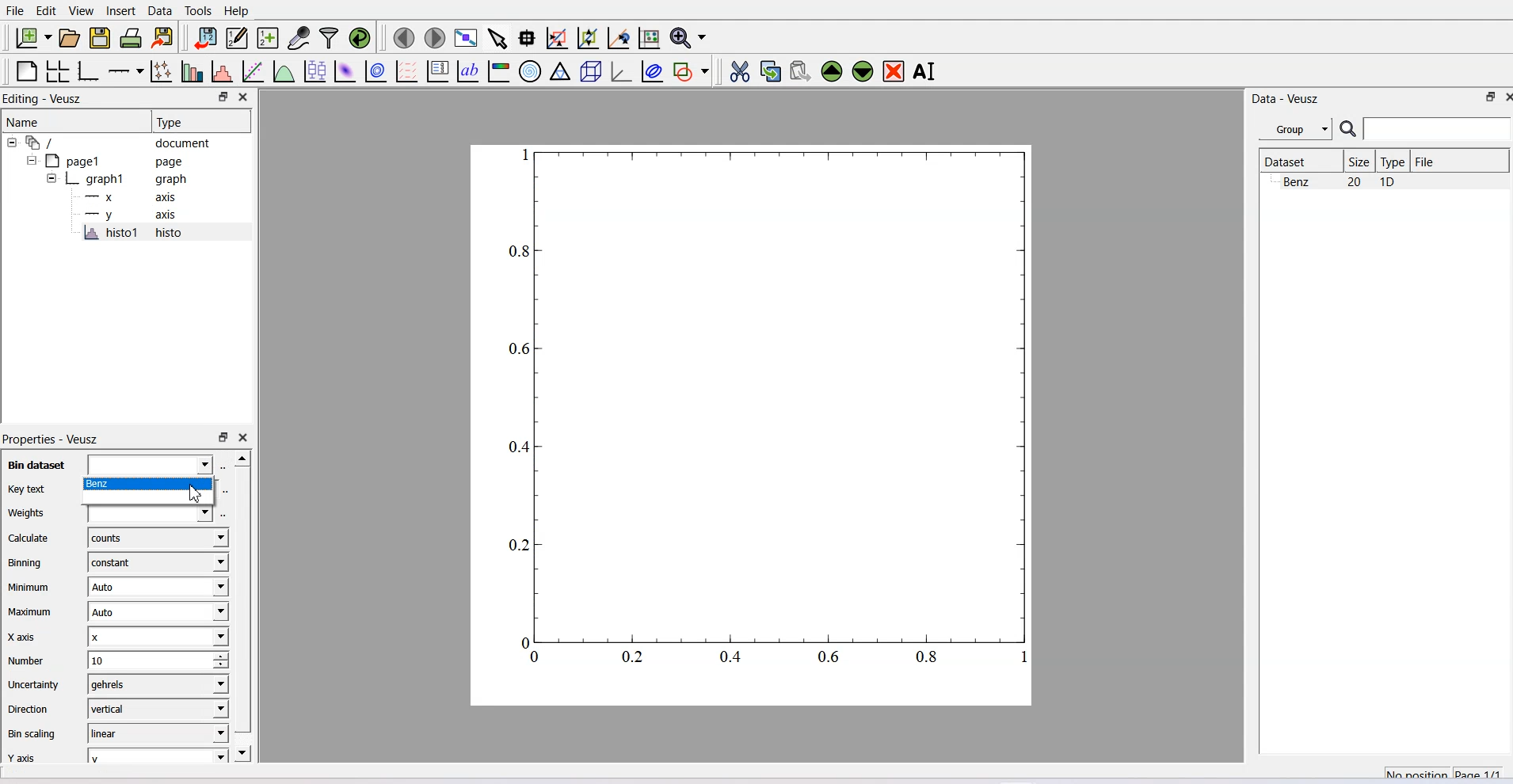  What do you see at coordinates (52, 438) in the screenshot?
I see `Properties - Veusz` at bounding box center [52, 438].